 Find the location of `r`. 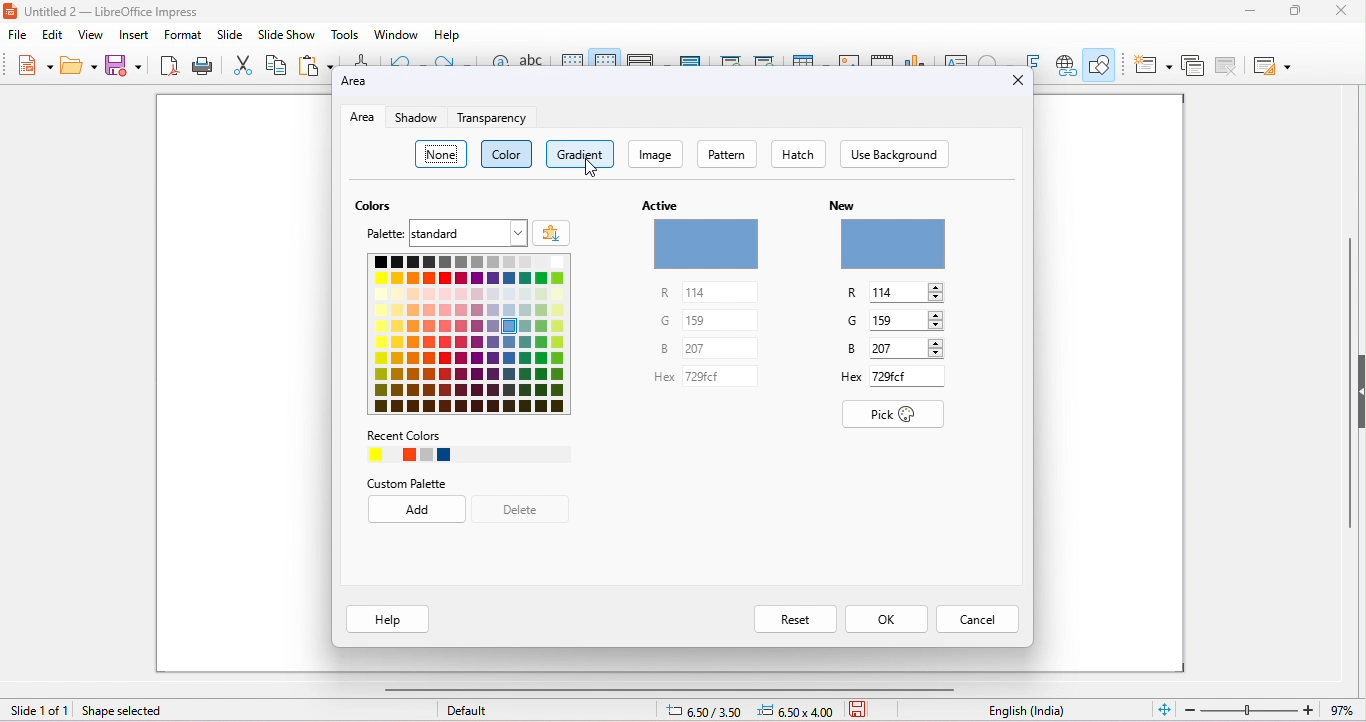

r is located at coordinates (644, 292).